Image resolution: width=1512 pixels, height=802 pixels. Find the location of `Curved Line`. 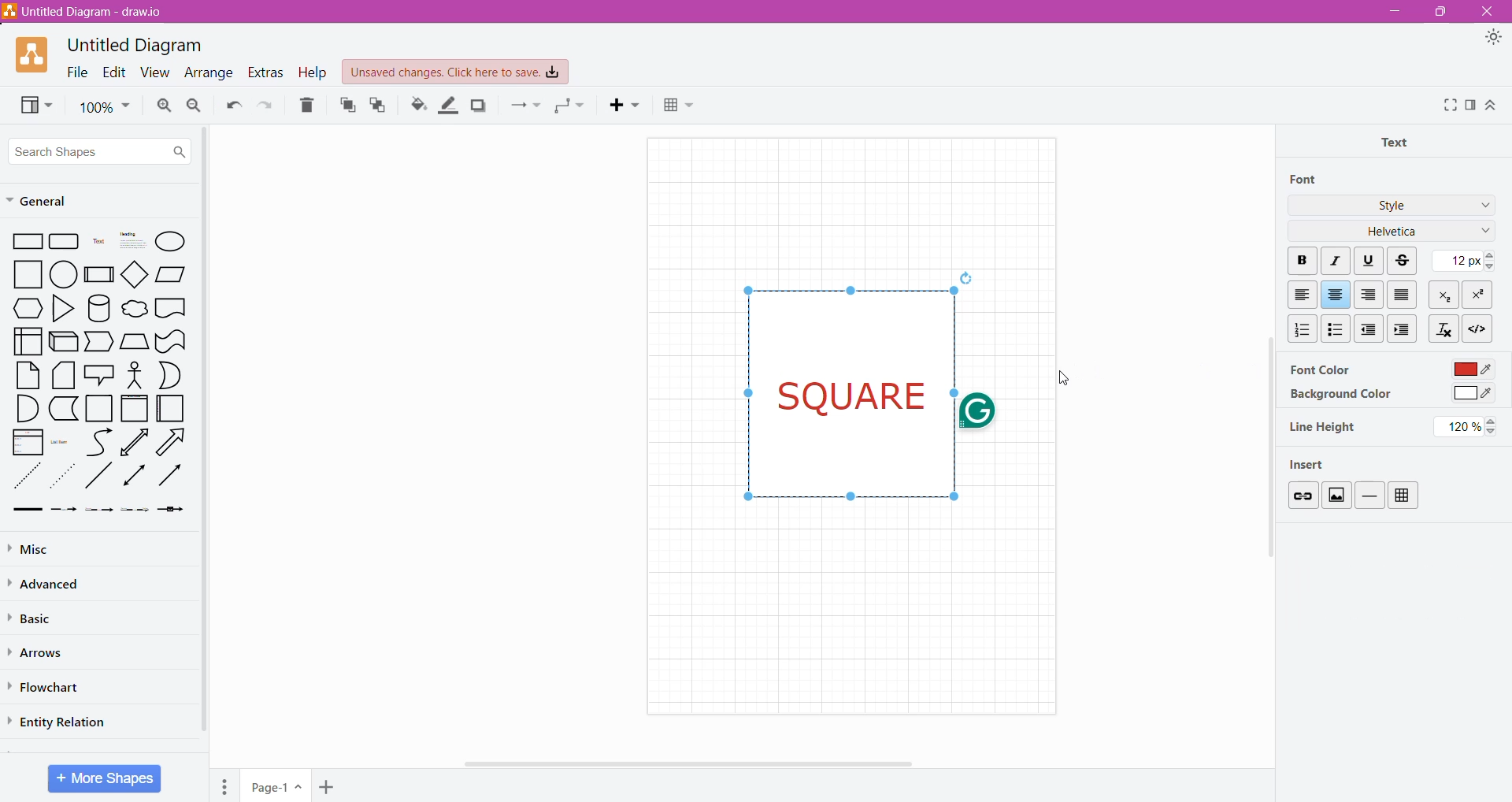

Curved Line is located at coordinates (98, 443).